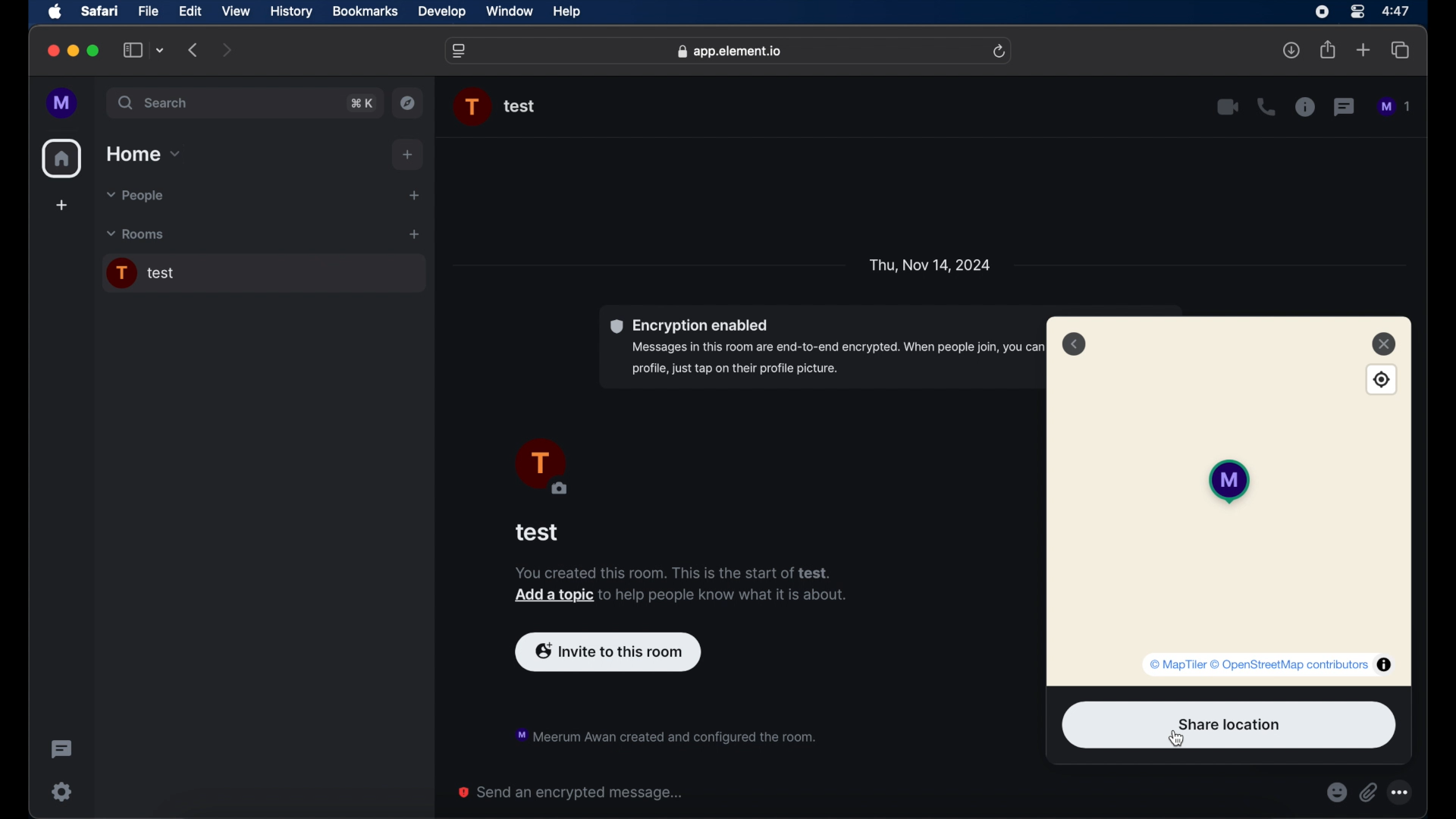 Image resolution: width=1456 pixels, height=819 pixels. Describe the element at coordinates (442, 12) in the screenshot. I see `develop` at that location.